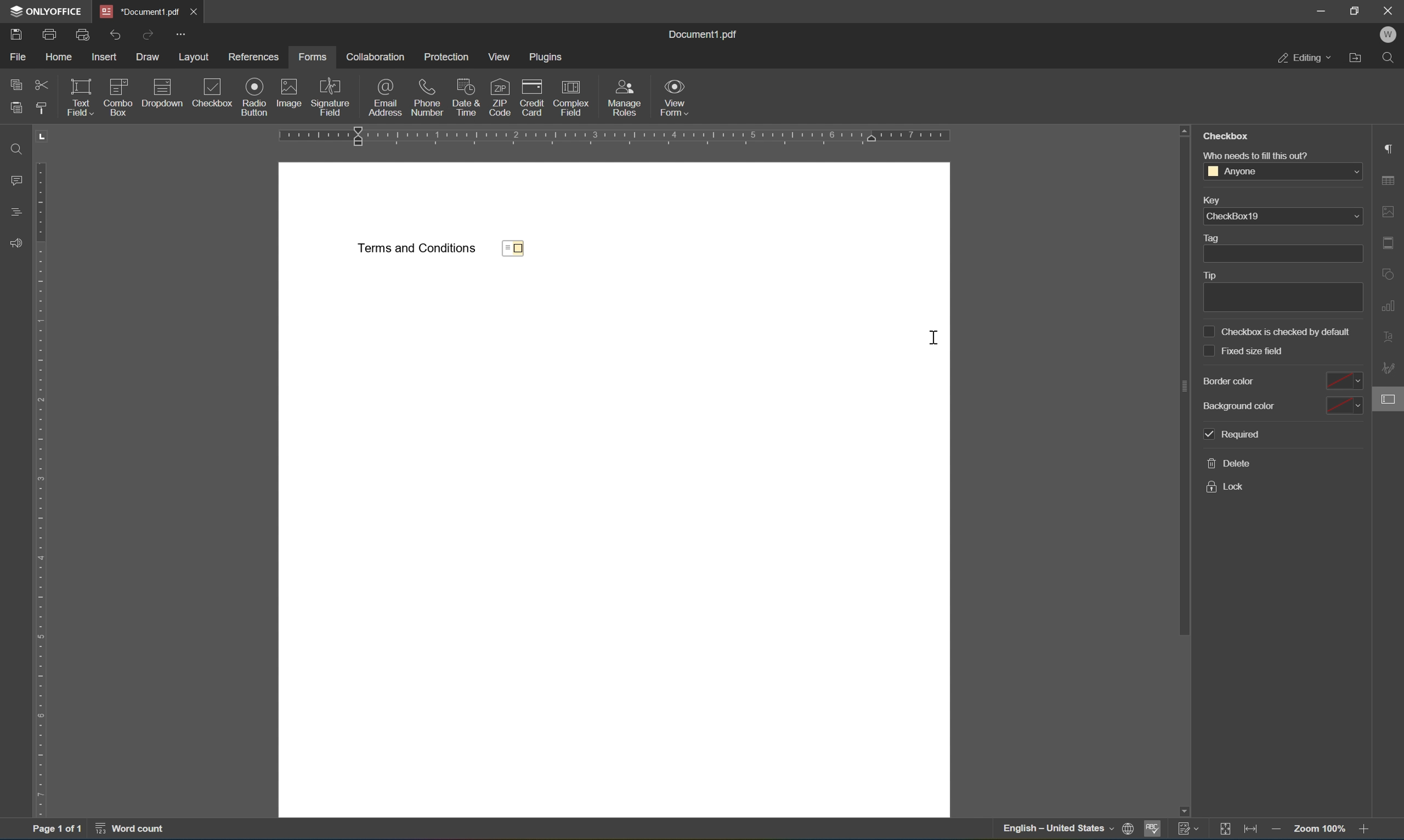 This screenshot has height=840, width=1404. I want to click on references, so click(254, 57).